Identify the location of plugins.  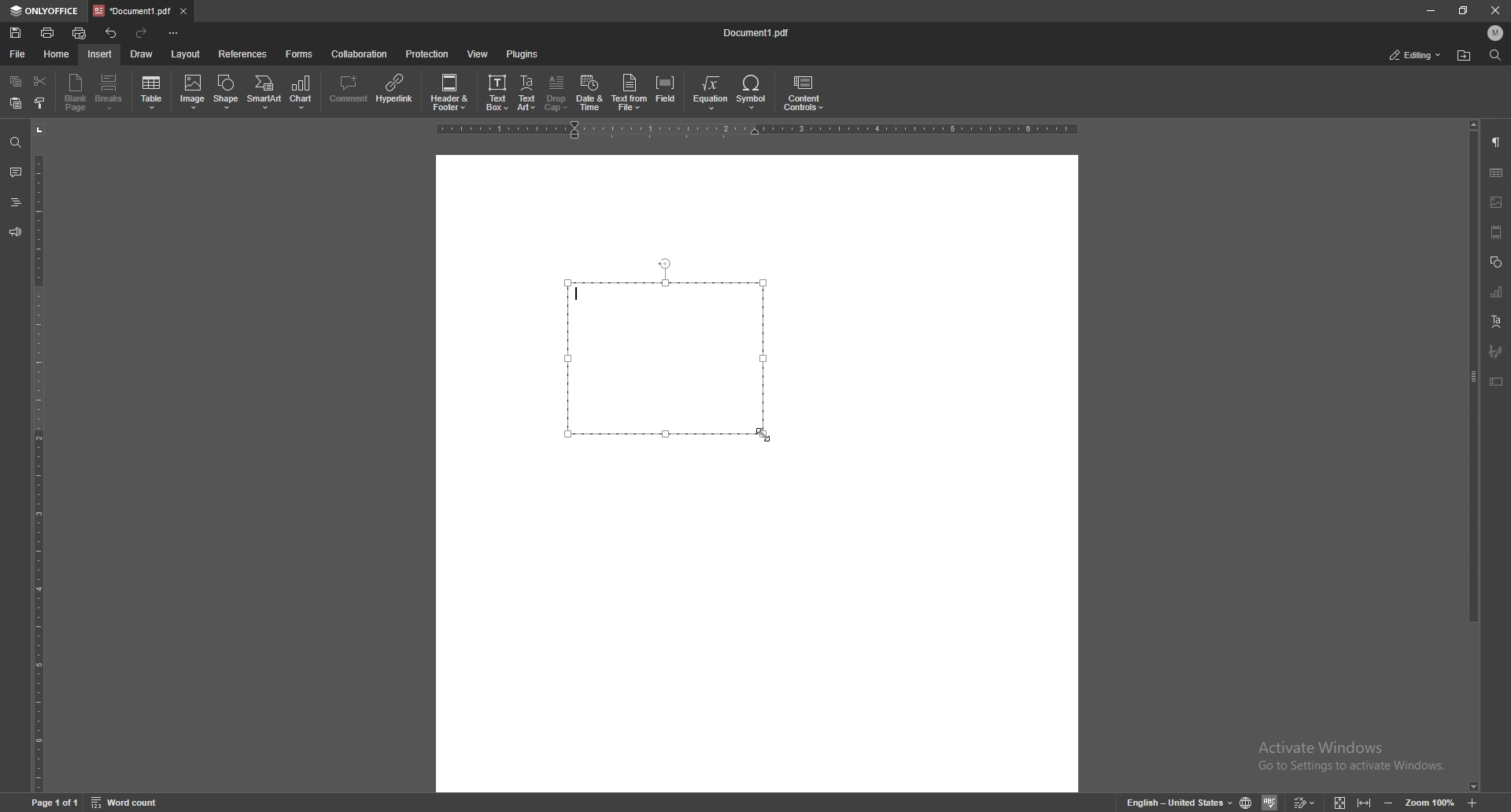
(523, 54).